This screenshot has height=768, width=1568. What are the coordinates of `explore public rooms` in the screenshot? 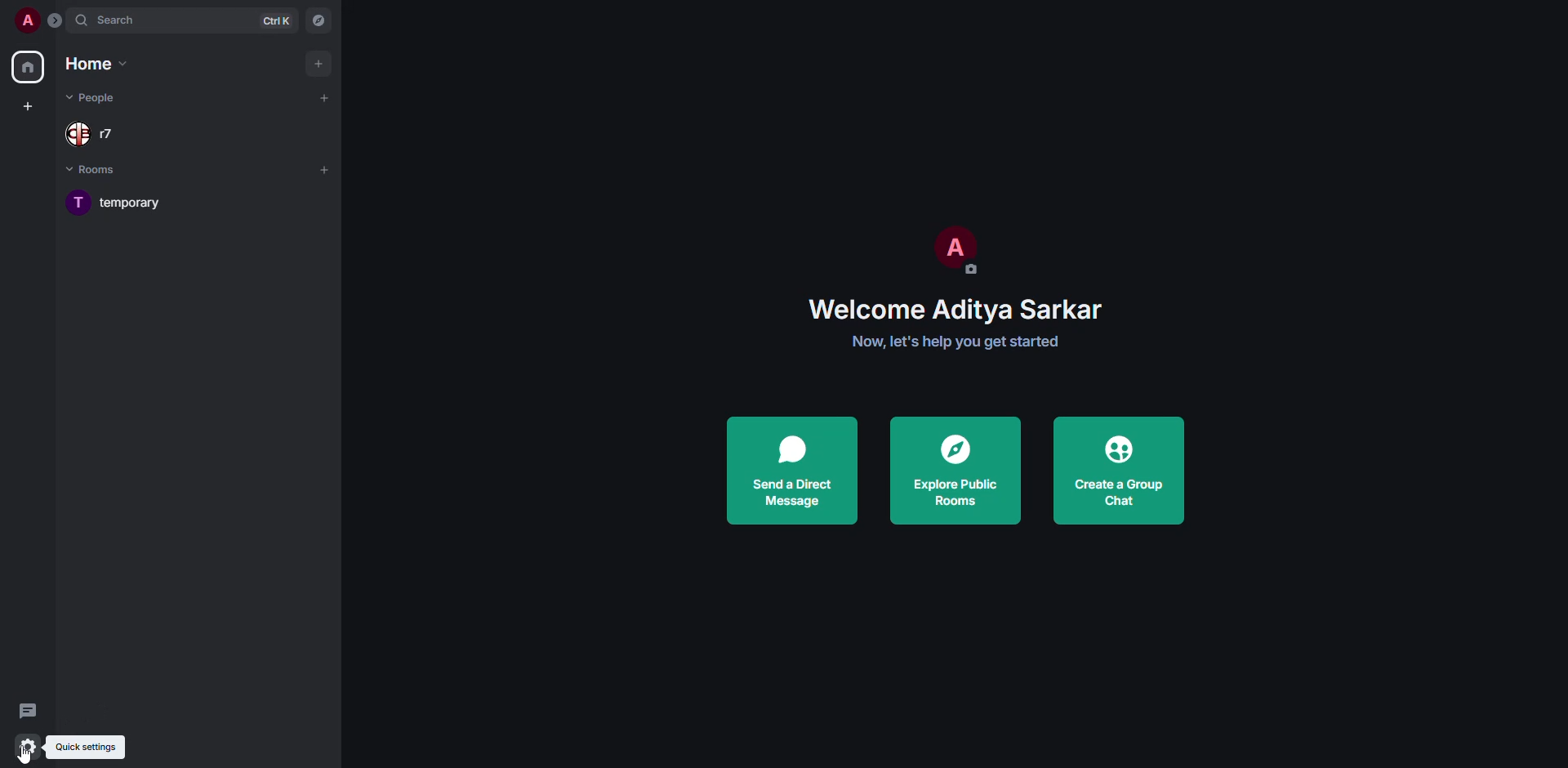 It's located at (960, 470).